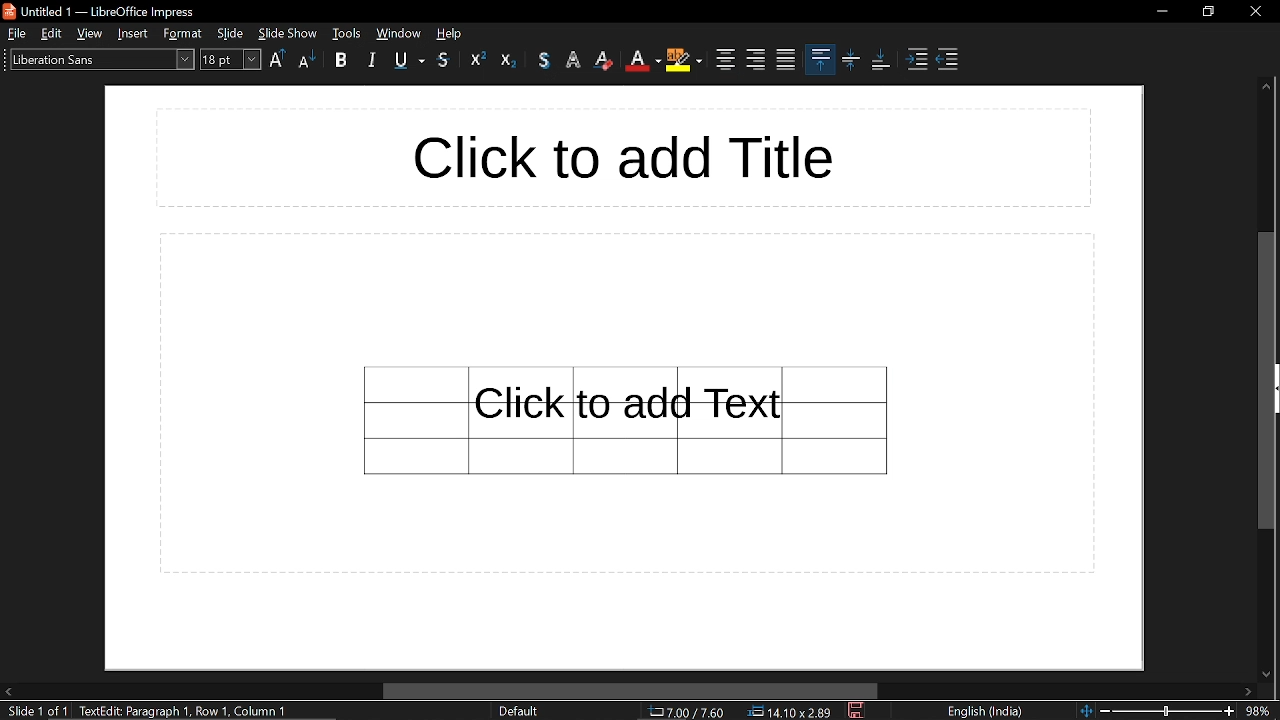 The height and width of the screenshot is (720, 1280). I want to click on subscript, so click(509, 59).